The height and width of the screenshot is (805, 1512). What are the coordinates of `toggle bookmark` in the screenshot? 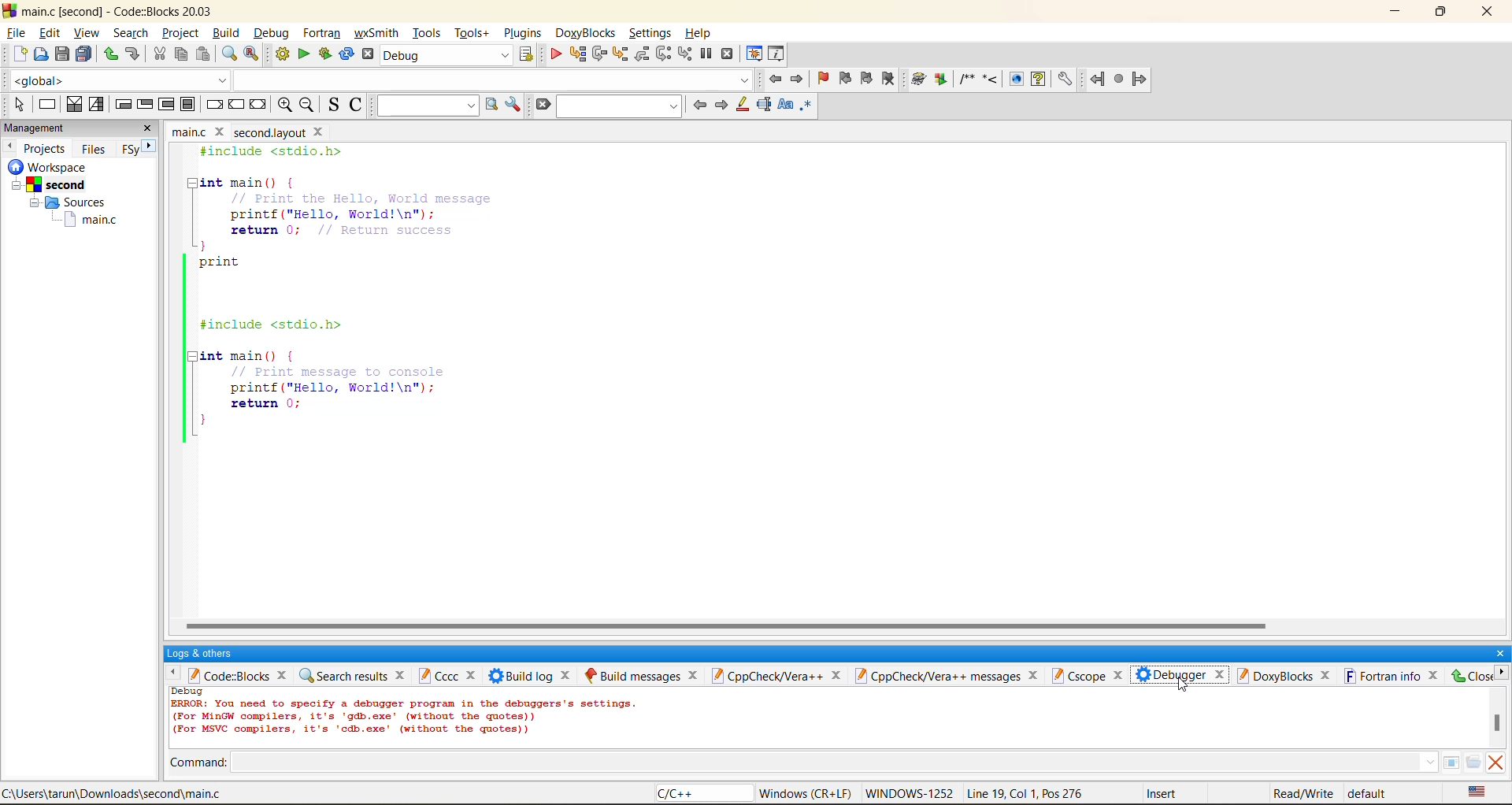 It's located at (823, 80).